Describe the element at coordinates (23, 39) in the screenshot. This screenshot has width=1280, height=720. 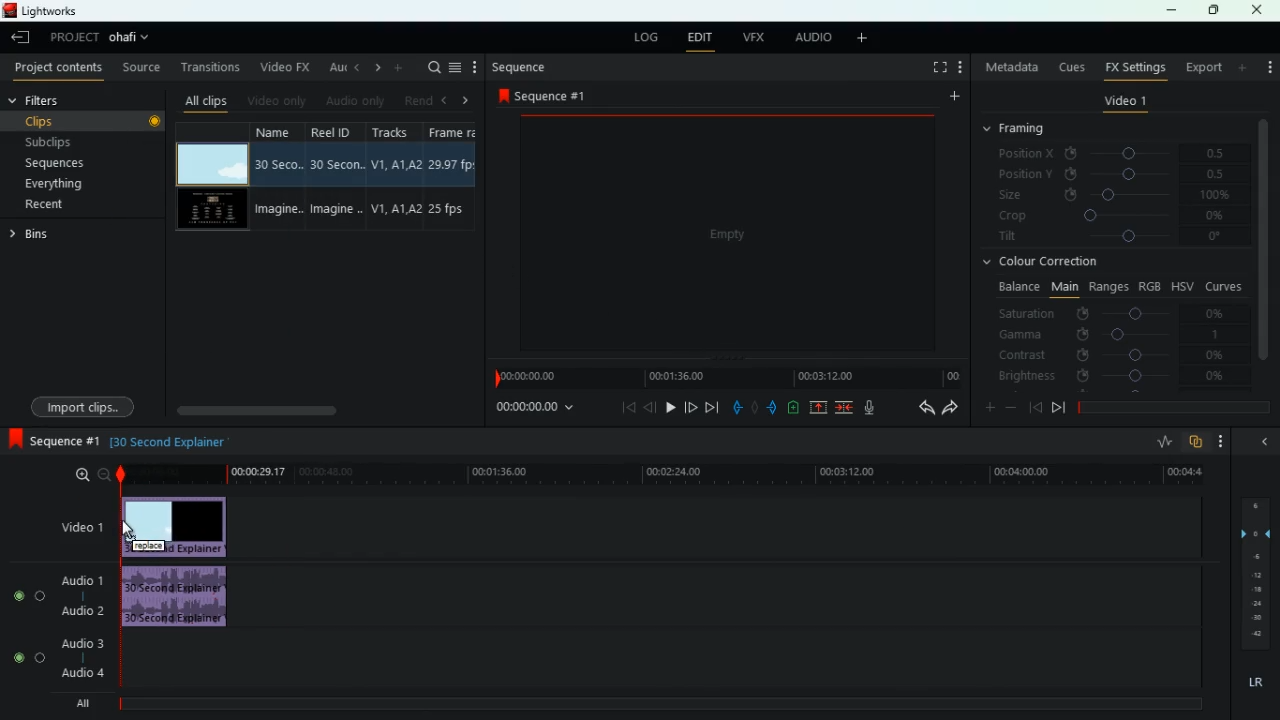
I see `back` at that location.